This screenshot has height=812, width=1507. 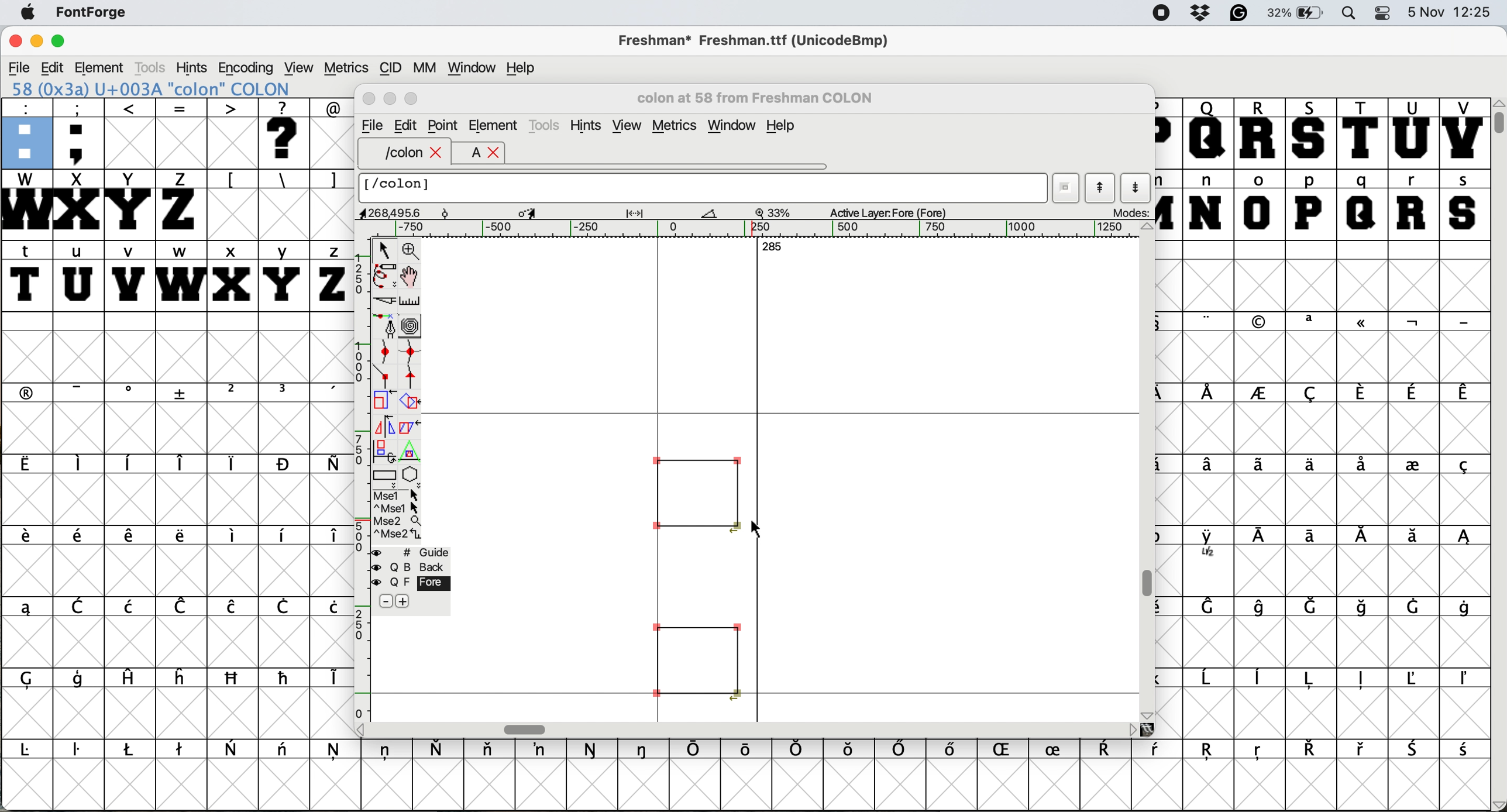 What do you see at coordinates (357, 483) in the screenshot?
I see `vertical scale` at bounding box center [357, 483].